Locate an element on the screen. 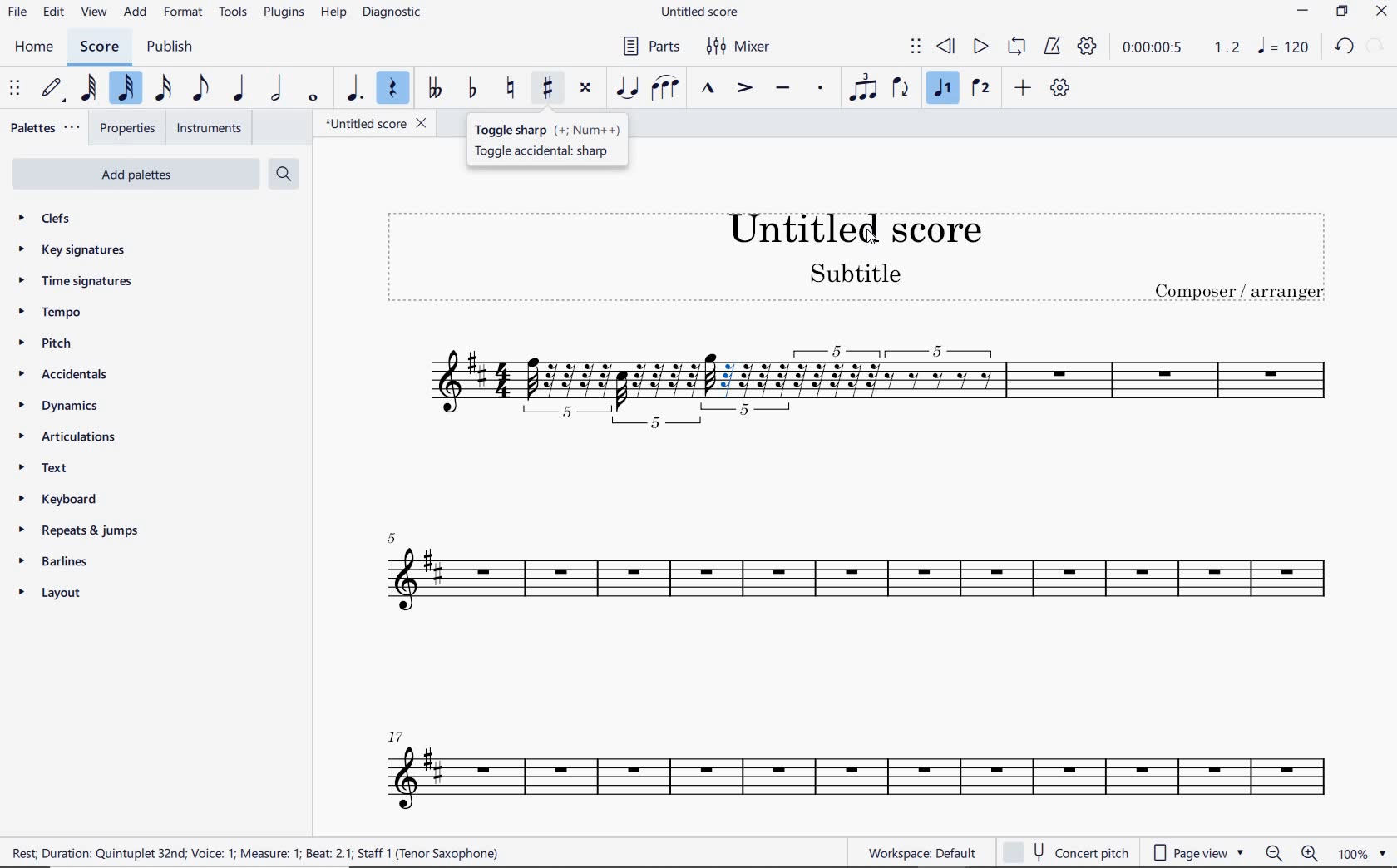 Image resolution: width=1397 pixels, height=868 pixels. PLUGINS is located at coordinates (284, 13).